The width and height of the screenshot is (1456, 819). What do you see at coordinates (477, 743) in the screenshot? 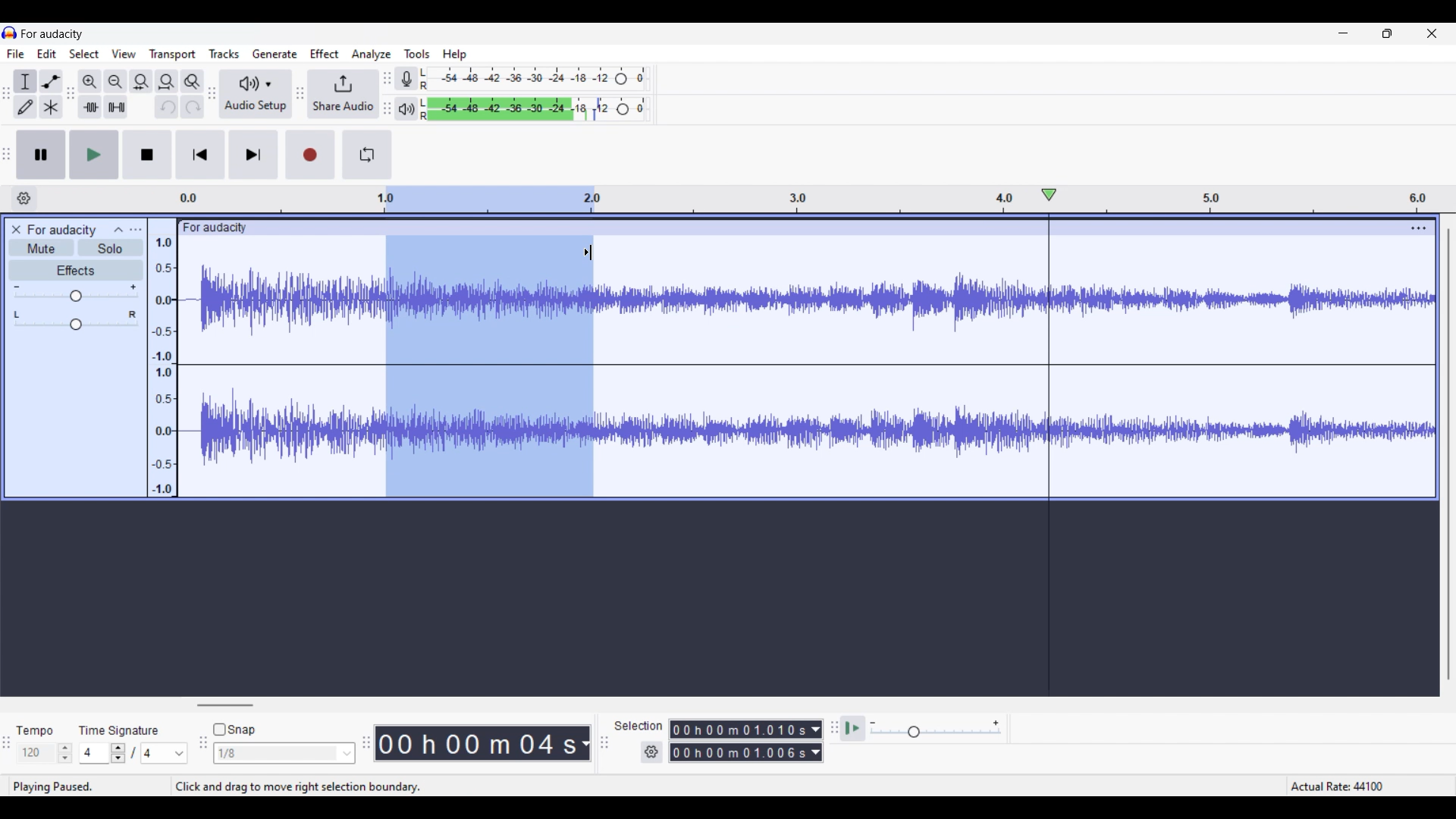
I see `00 h 00 m 07 s` at bounding box center [477, 743].